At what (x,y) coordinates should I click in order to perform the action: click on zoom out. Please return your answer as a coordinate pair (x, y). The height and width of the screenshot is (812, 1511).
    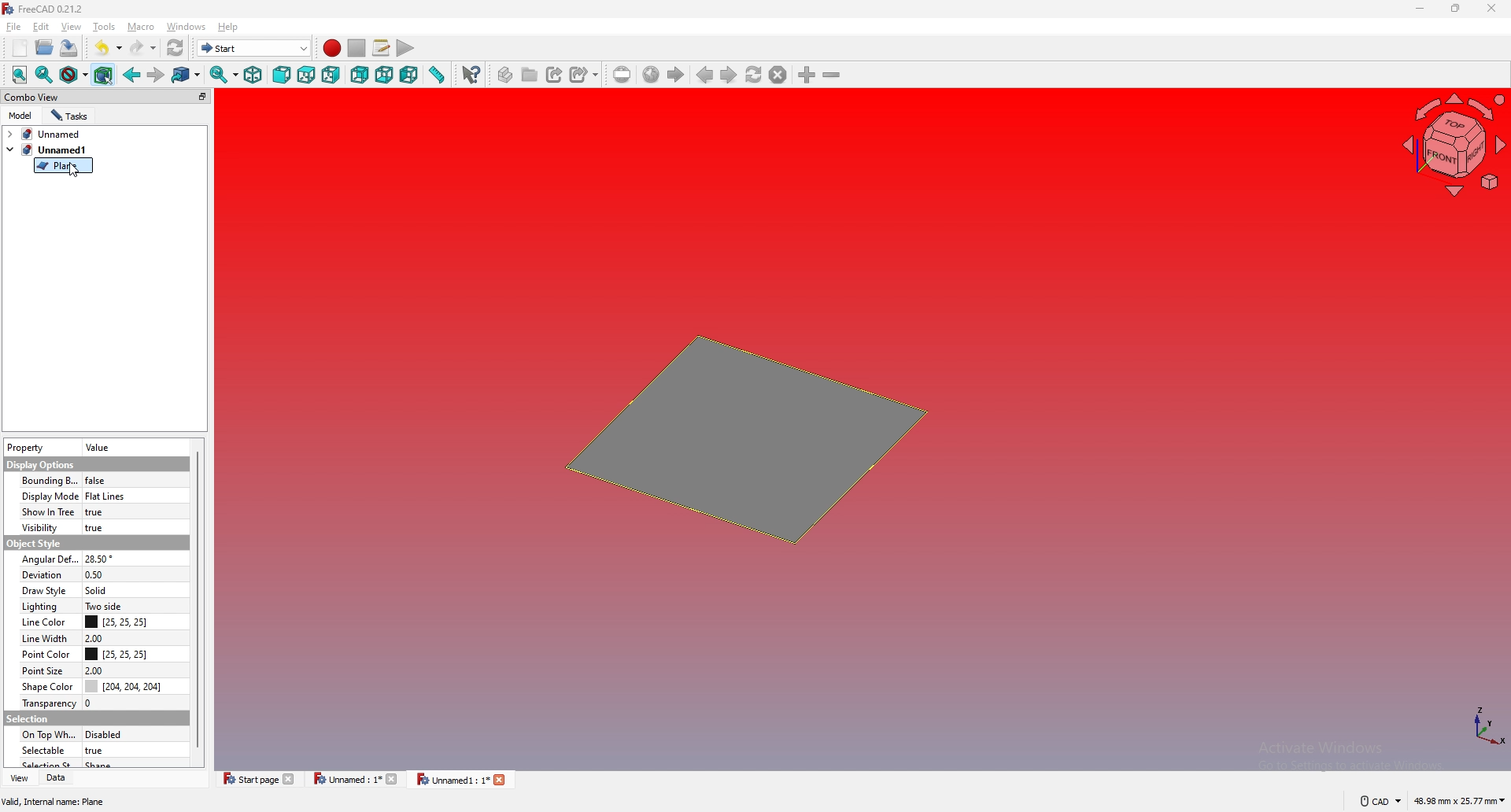
    Looking at the image, I should click on (831, 74).